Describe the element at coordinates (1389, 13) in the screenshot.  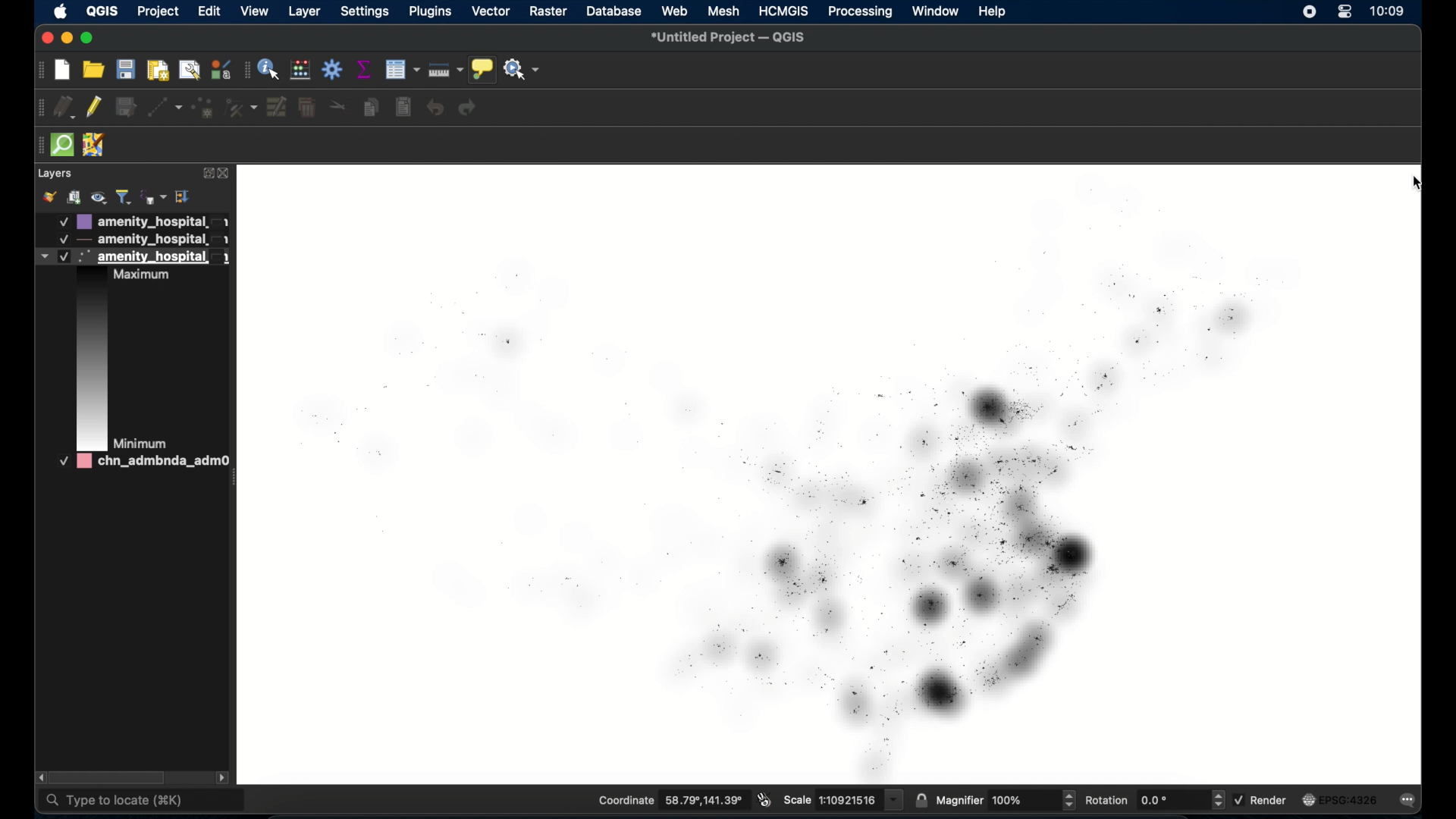
I see `time` at that location.